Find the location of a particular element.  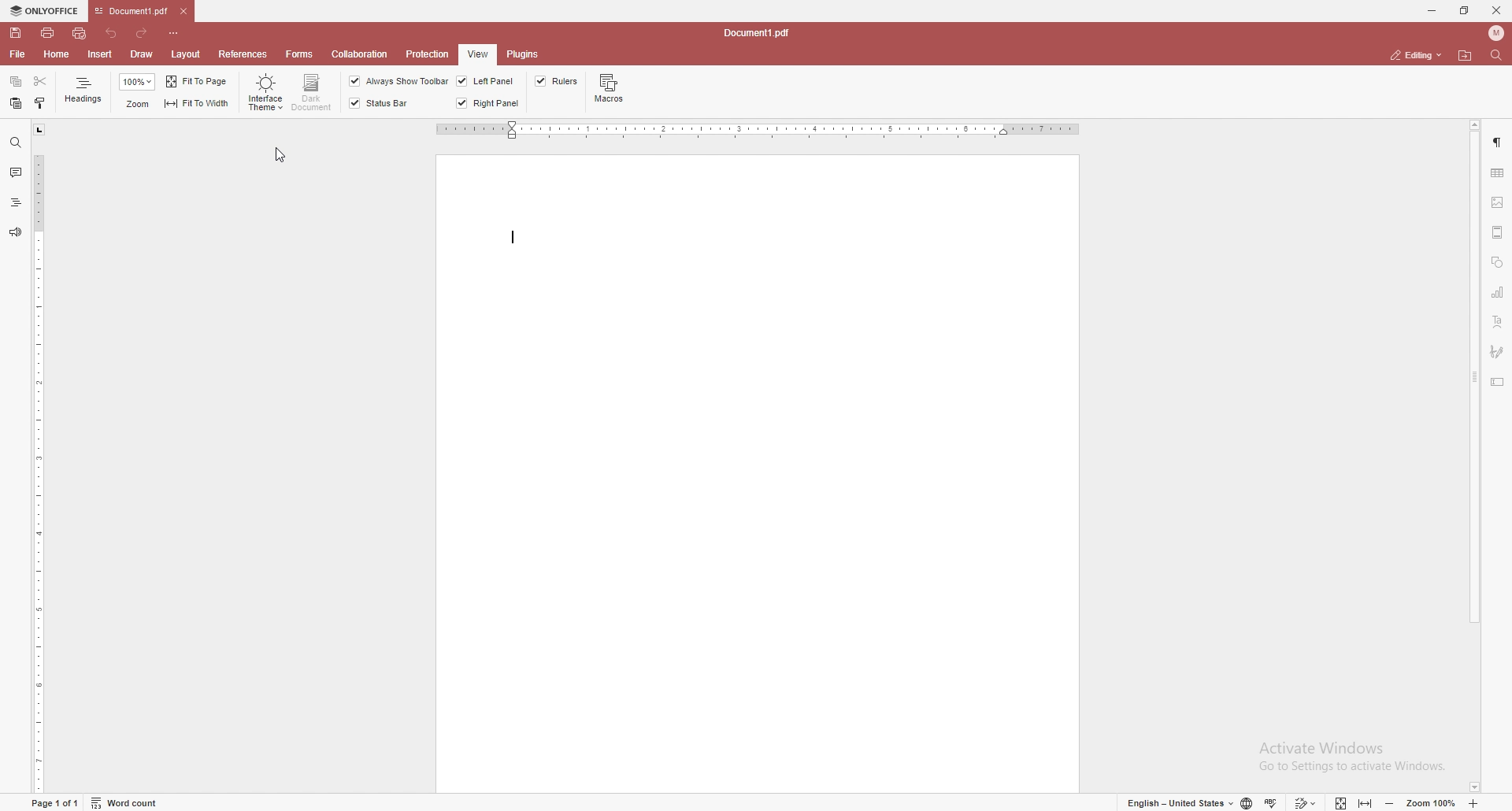

close tab is located at coordinates (183, 13).